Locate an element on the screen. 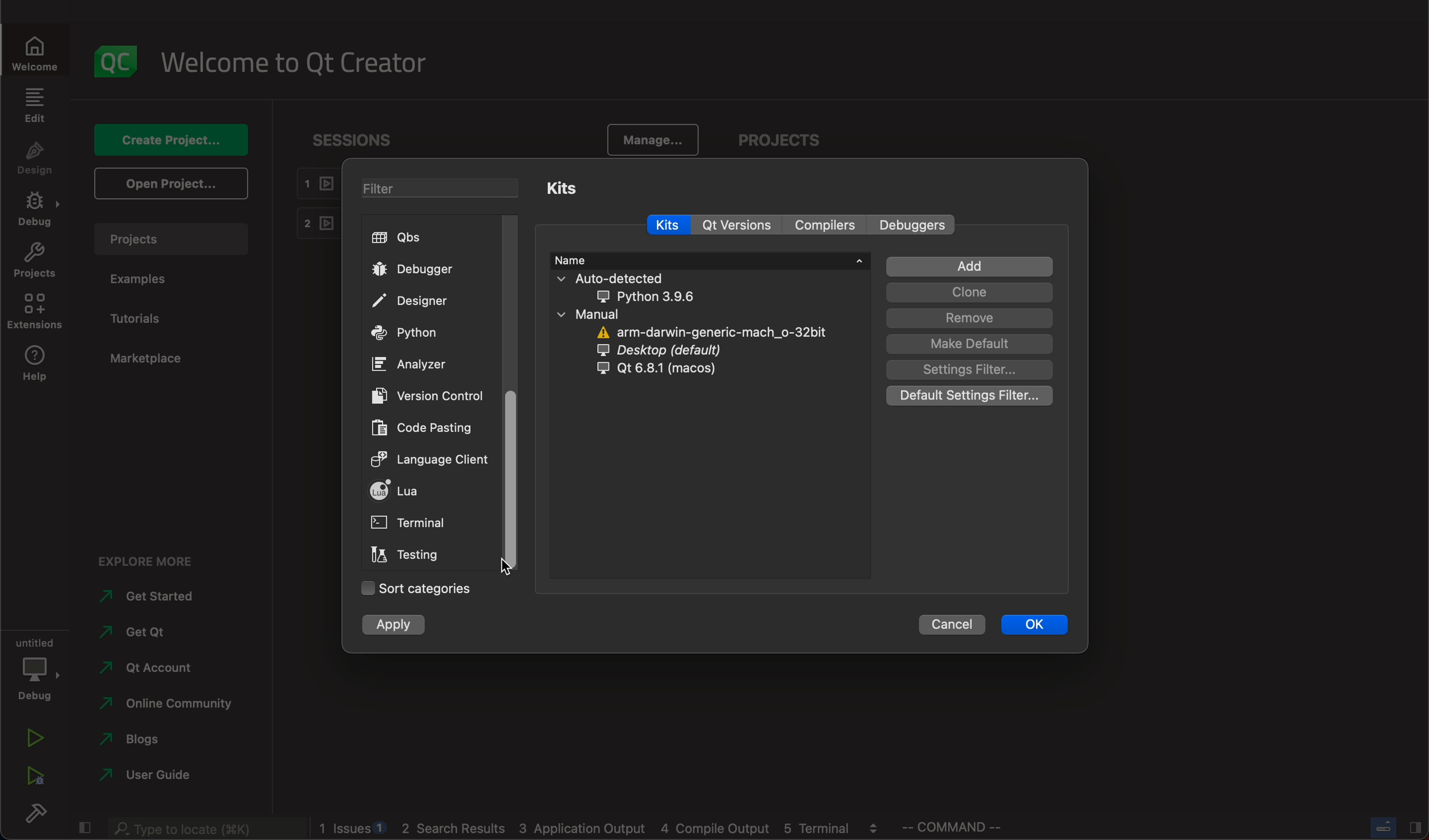  started is located at coordinates (147, 600).